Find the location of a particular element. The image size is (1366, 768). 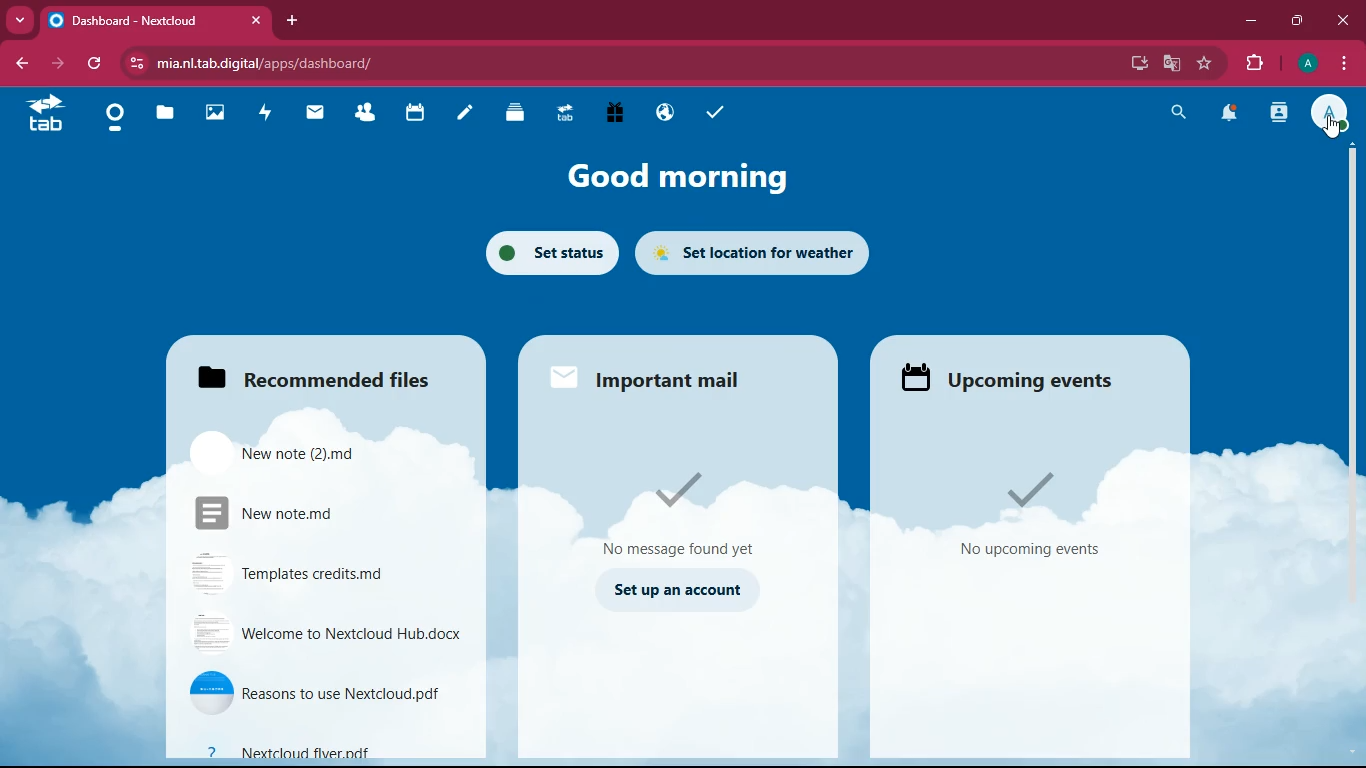

back is located at coordinates (25, 64).